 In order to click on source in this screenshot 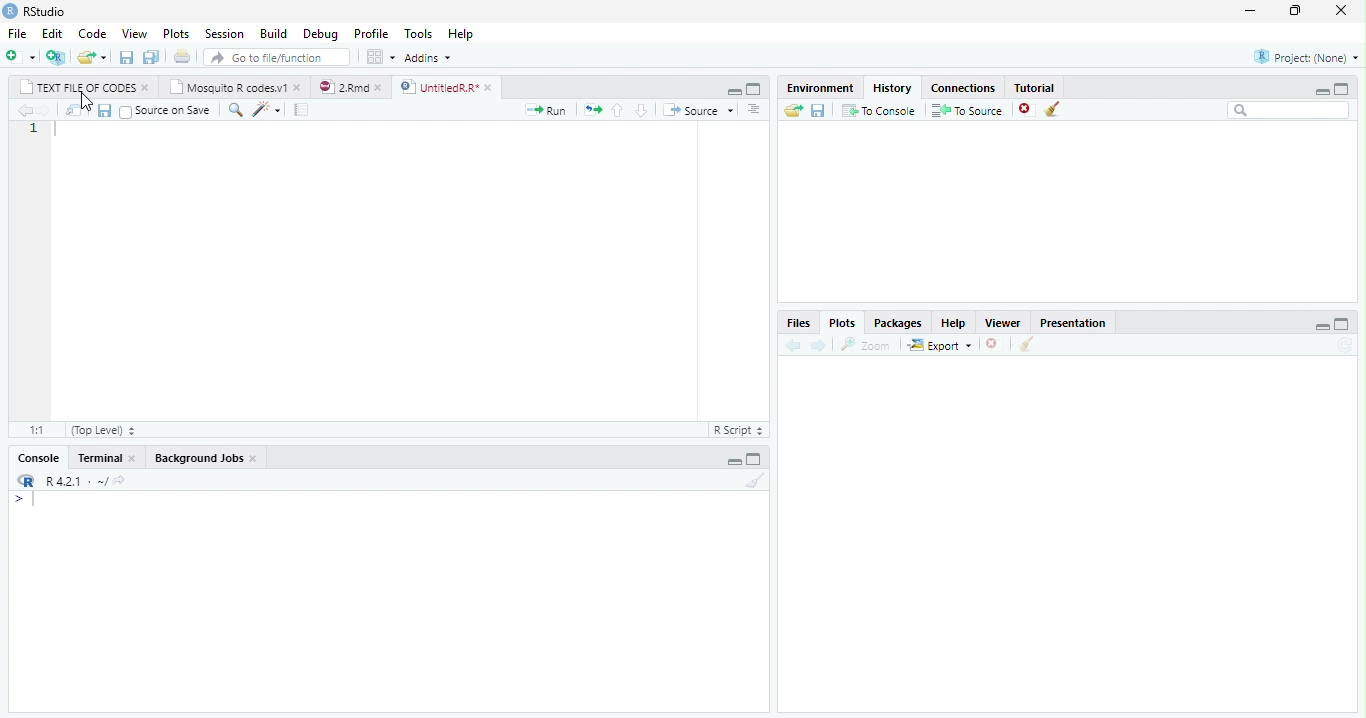, I will do `click(697, 110)`.